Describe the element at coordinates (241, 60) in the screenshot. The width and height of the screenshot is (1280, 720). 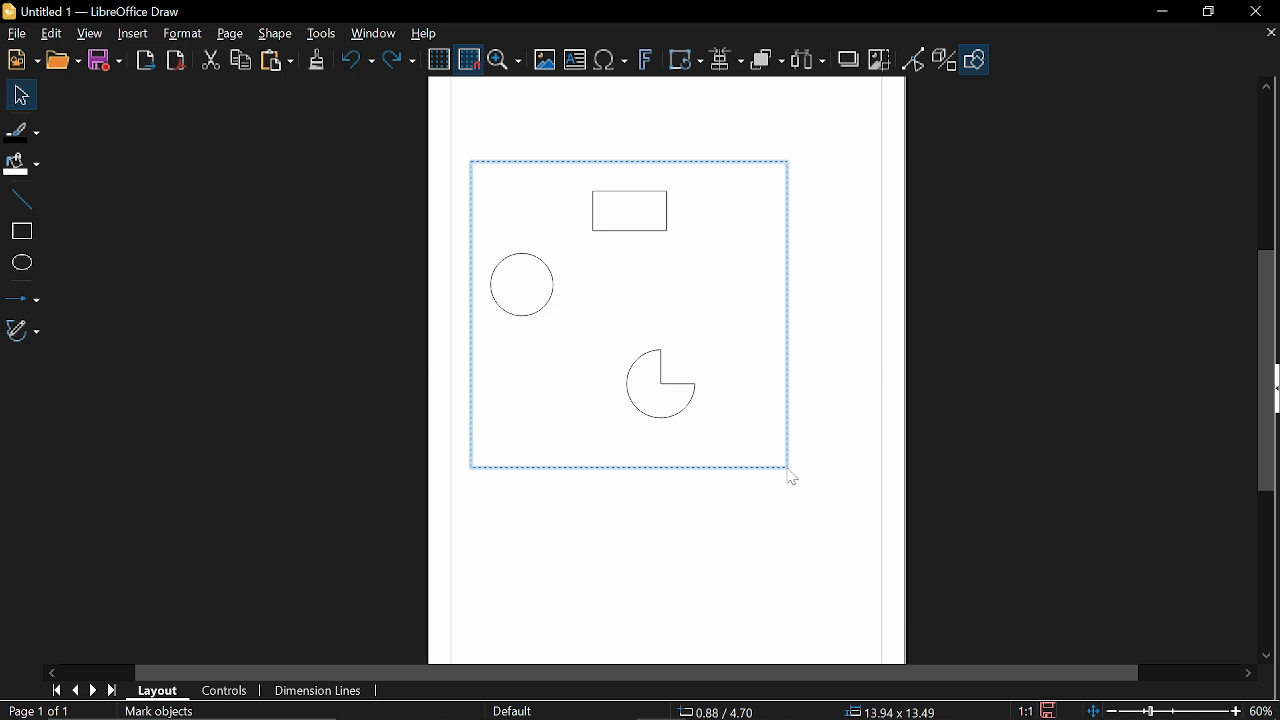
I see `Copy` at that location.